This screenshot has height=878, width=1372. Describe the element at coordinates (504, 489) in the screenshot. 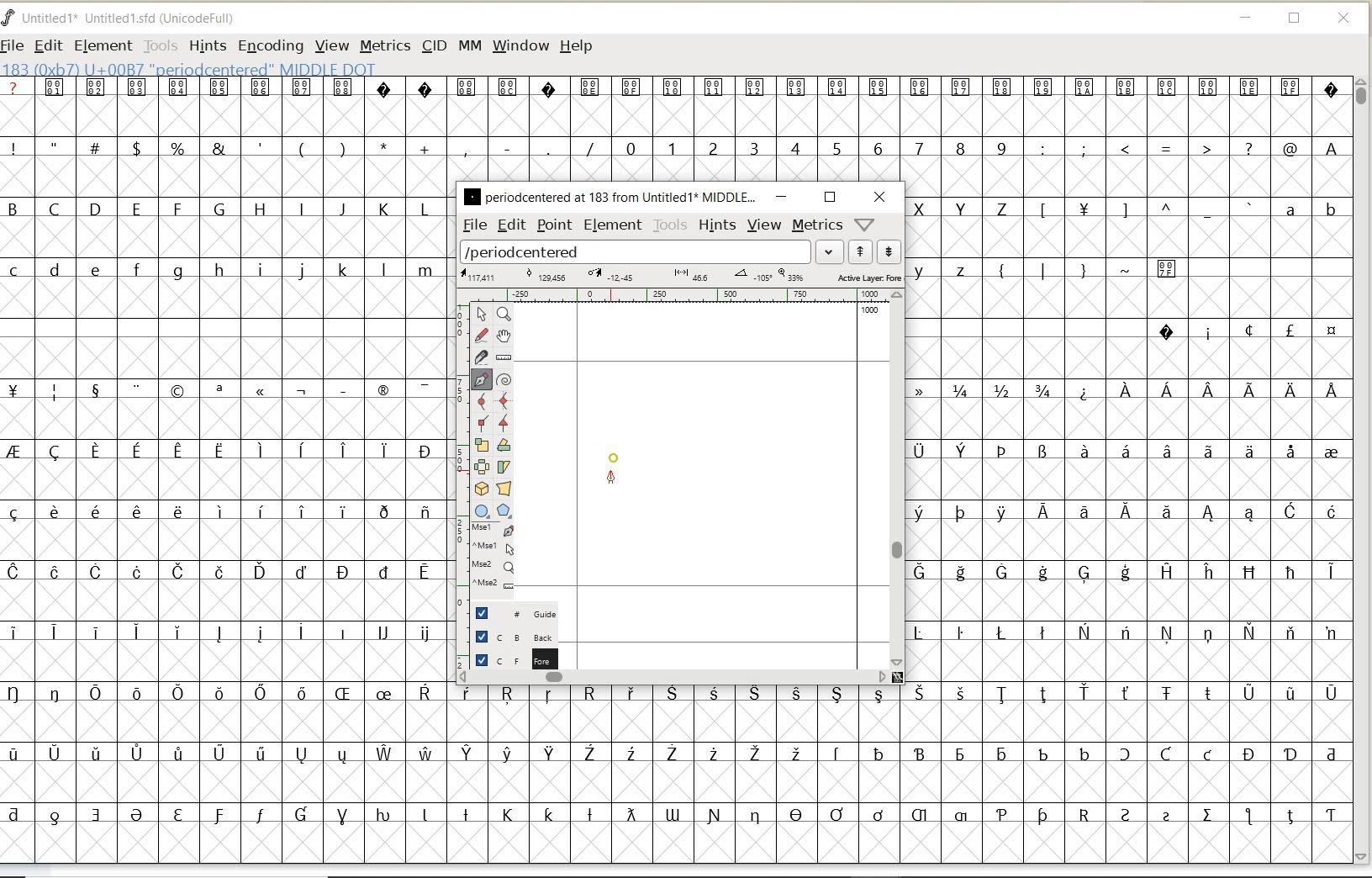

I see `perform a perspective transformation on the selection` at that location.